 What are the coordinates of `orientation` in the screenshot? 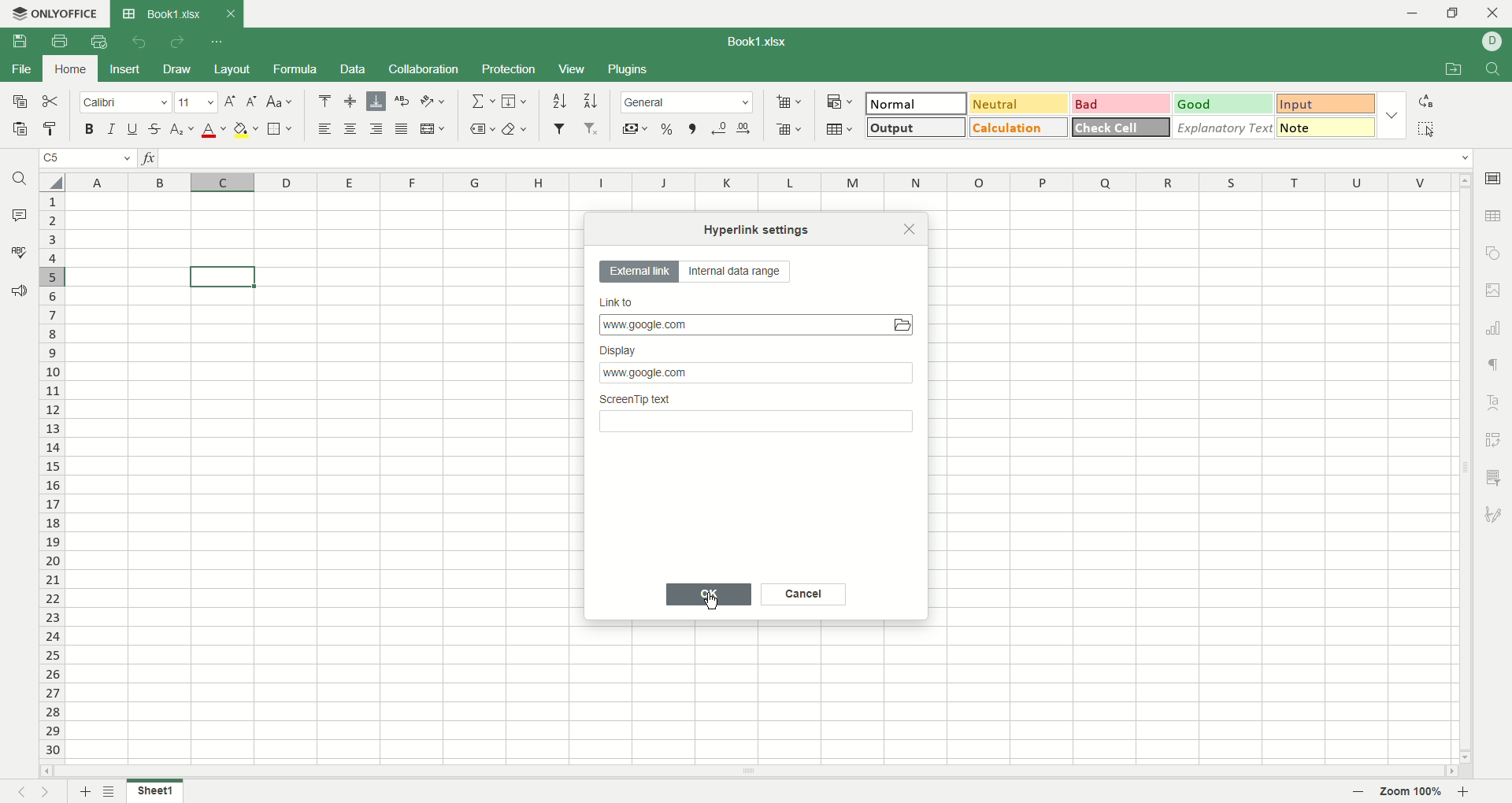 It's located at (433, 102).